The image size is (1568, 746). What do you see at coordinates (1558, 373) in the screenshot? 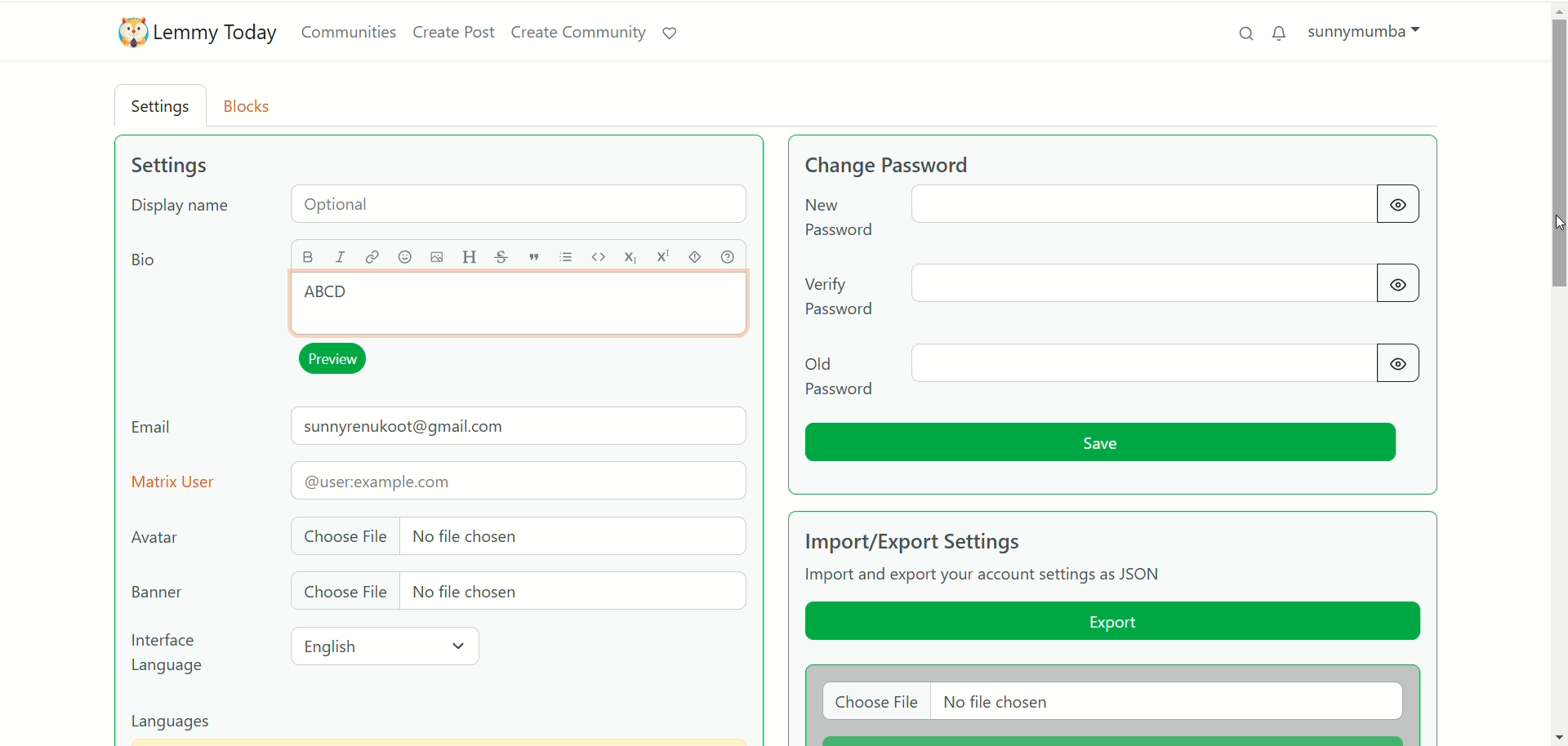
I see `vertical scroll bar` at bounding box center [1558, 373].